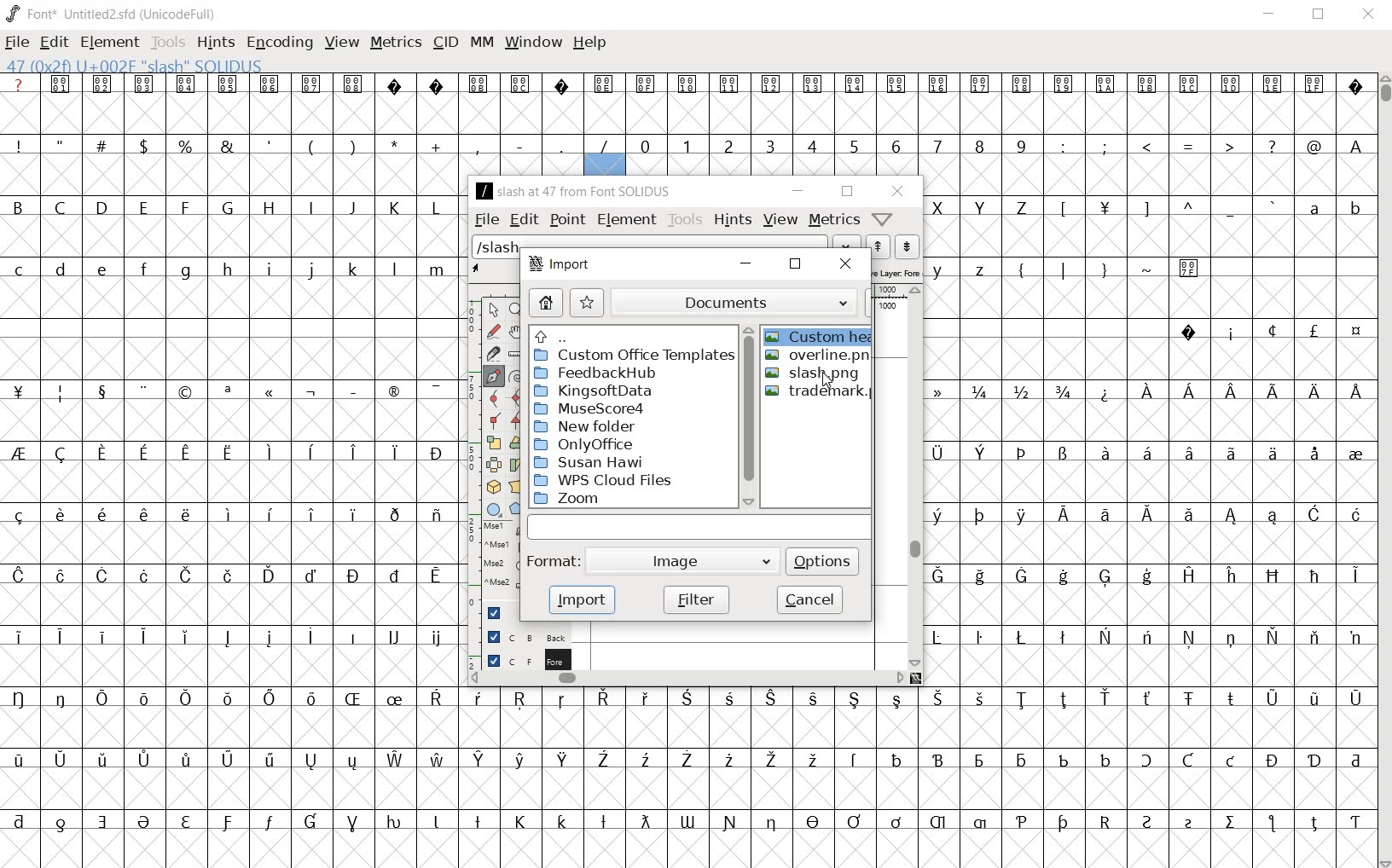 Image resolution: width=1392 pixels, height=868 pixels. Describe the element at coordinates (342, 43) in the screenshot. I see `VIEW` at that location.